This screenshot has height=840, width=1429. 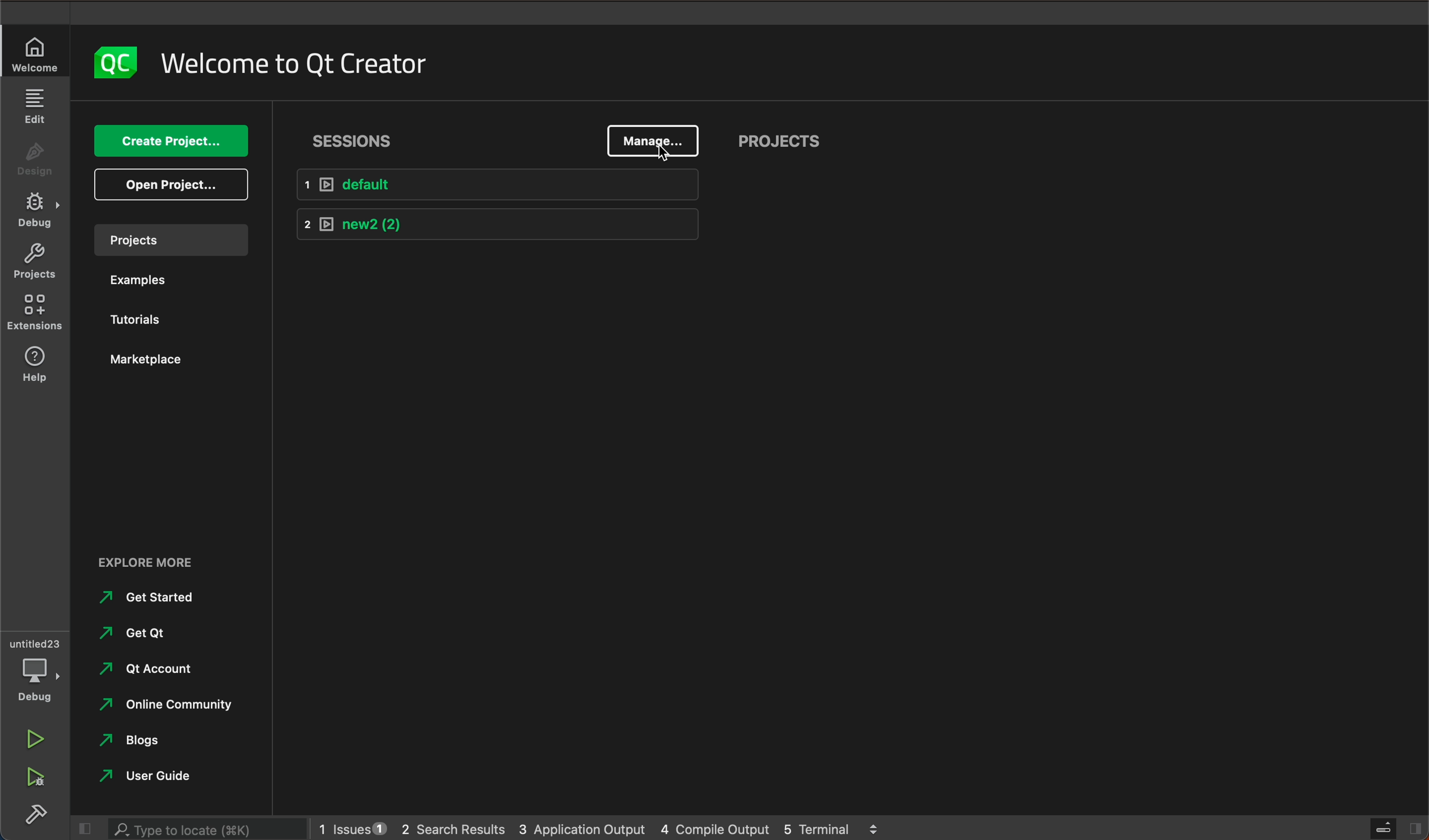 What do you see at coordinates (137, 321) in the screenshot?
I see `tutorials` at bounding box center [137, 321].